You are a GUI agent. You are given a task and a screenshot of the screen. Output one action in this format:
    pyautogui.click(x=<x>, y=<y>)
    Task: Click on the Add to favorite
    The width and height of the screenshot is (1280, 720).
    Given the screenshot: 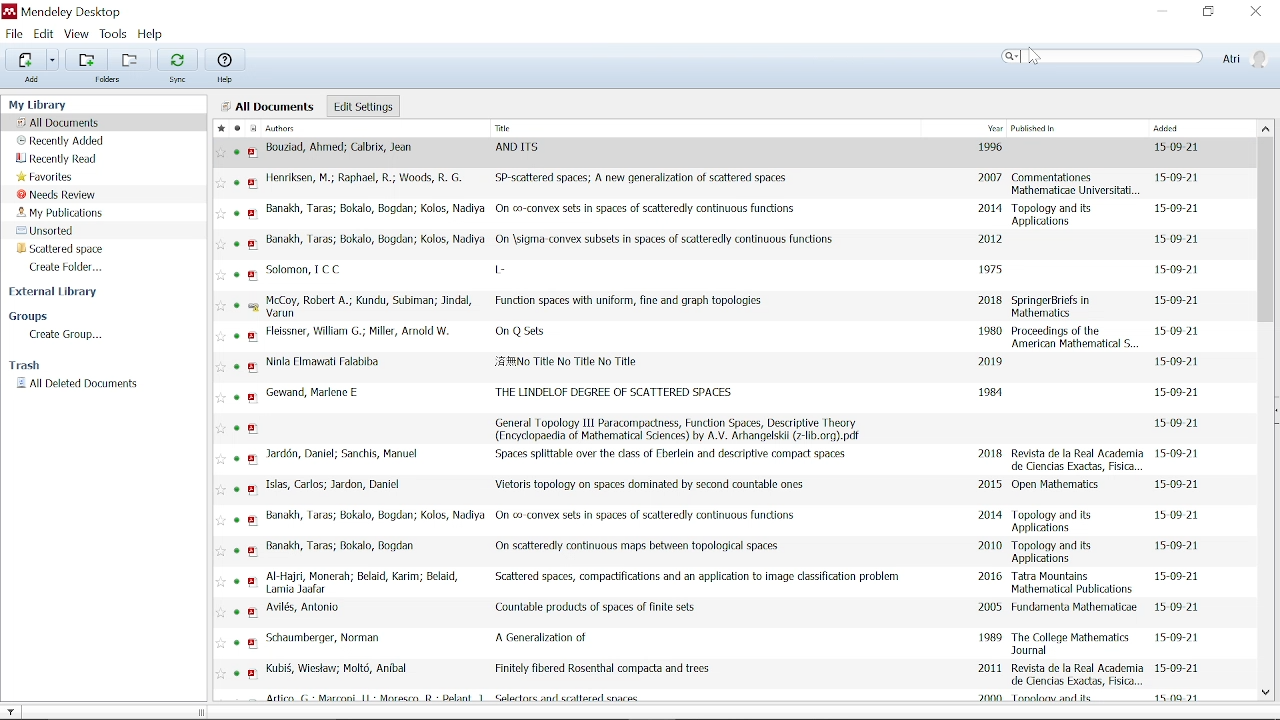 What is the action you would take?
    pyautogui.click(x=221, y=398)
    